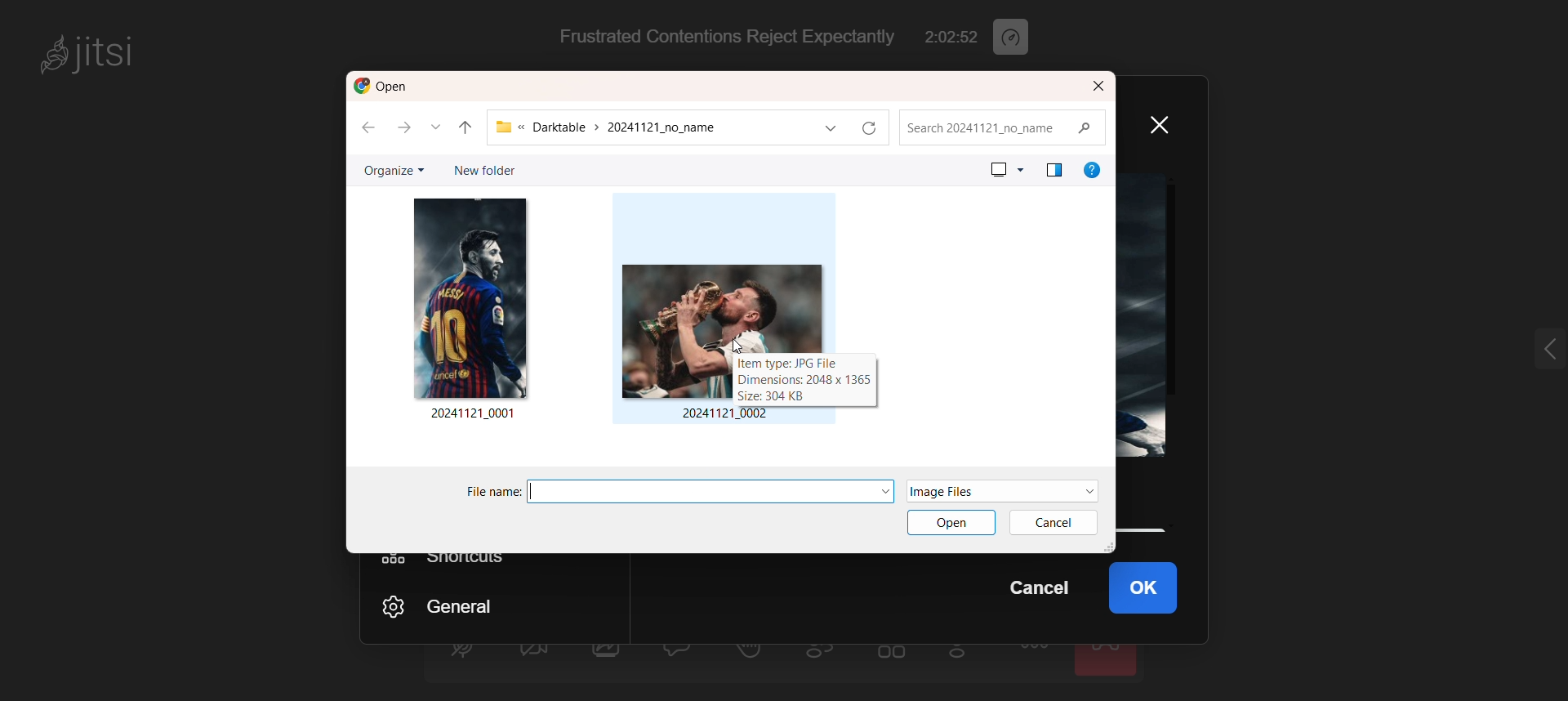 This screenshot has height=701, width=1568. What do you see at coordinates (474, 414) in the screenshot?
I see `20241121_0001` at bounding box center [474, 414].